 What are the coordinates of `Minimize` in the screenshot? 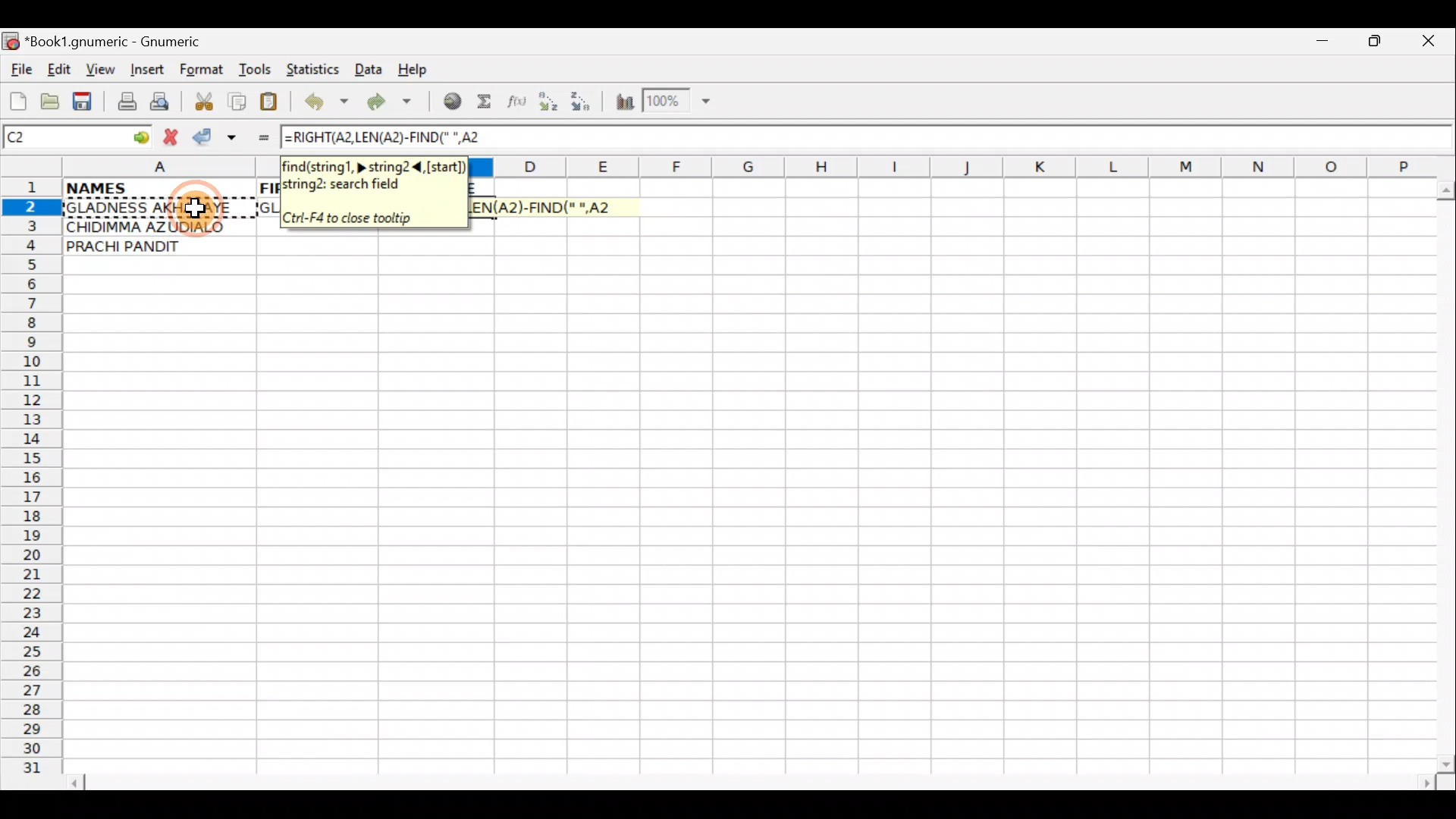 It's located at (1319, 45).